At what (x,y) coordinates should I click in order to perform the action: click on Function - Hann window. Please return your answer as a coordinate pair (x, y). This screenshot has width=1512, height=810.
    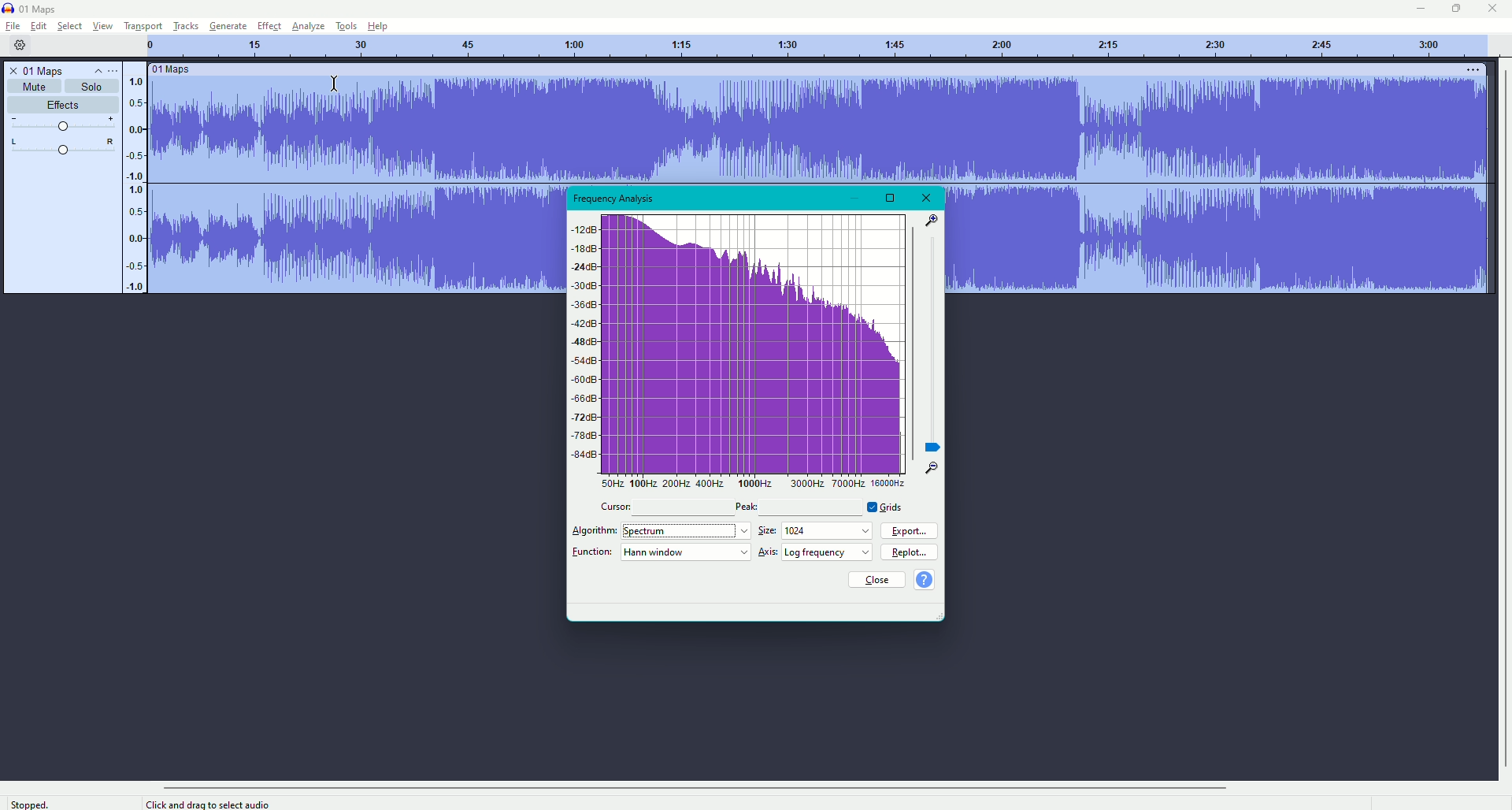
    Looking at the image, I should click on (662, 552).